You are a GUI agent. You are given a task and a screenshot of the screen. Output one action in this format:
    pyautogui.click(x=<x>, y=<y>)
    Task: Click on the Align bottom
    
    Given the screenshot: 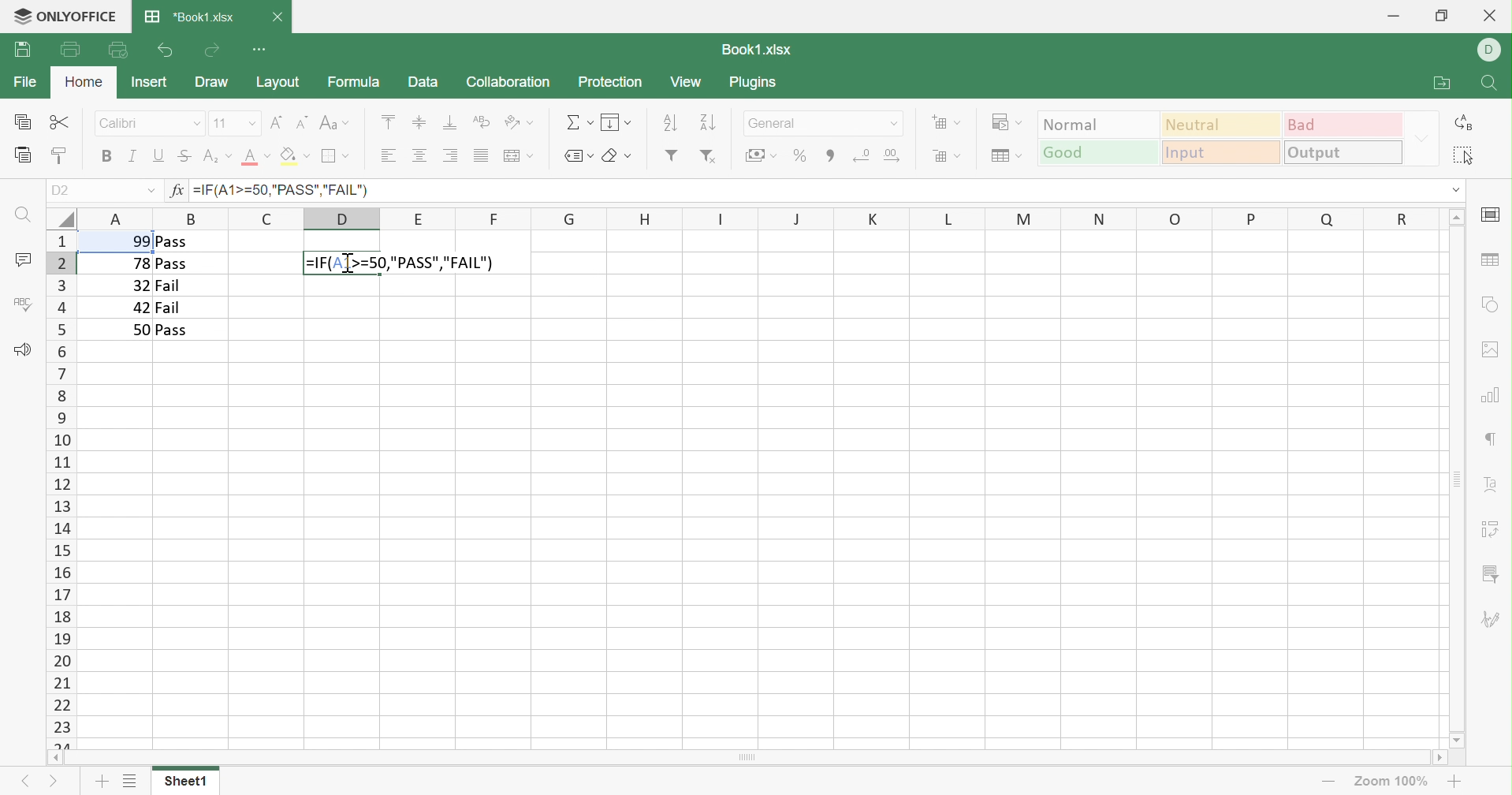 What is the action you would take?
    pyautogui.click(x=450, y=123)
    